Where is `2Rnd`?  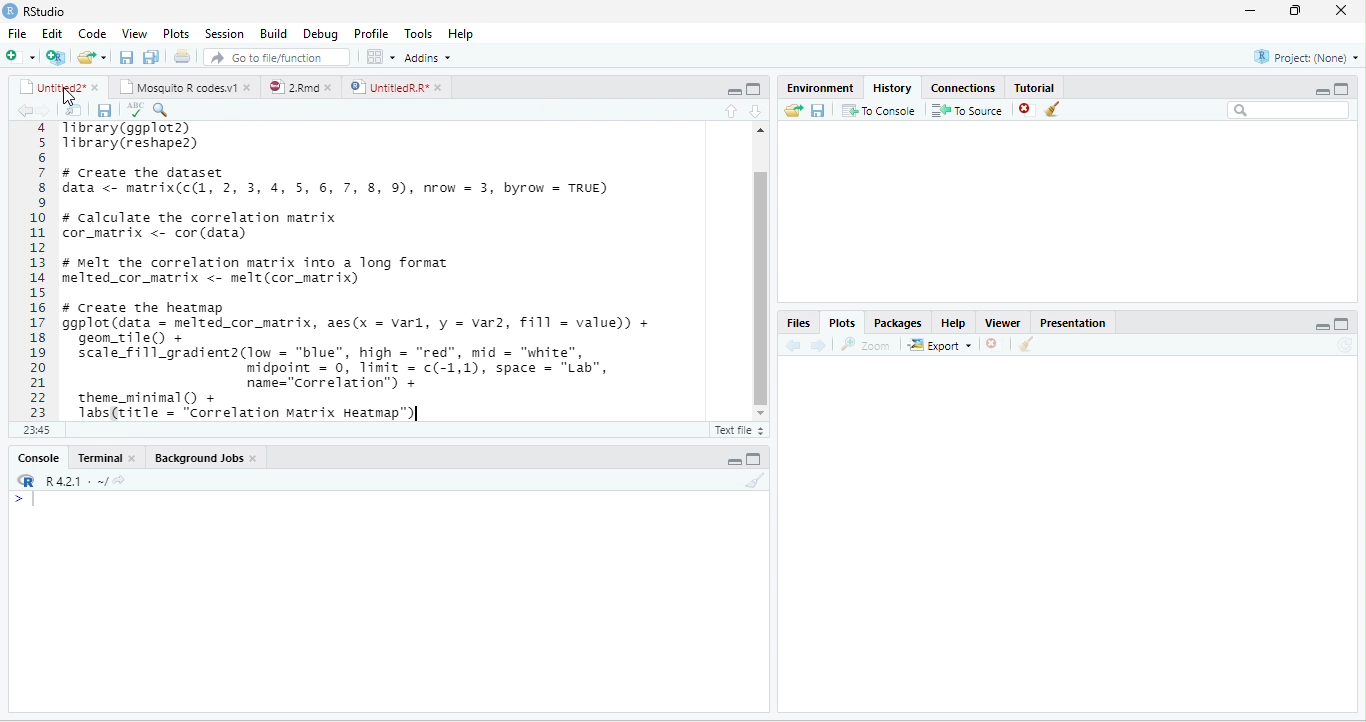 2Rnd is located at coordinates (295, 86).